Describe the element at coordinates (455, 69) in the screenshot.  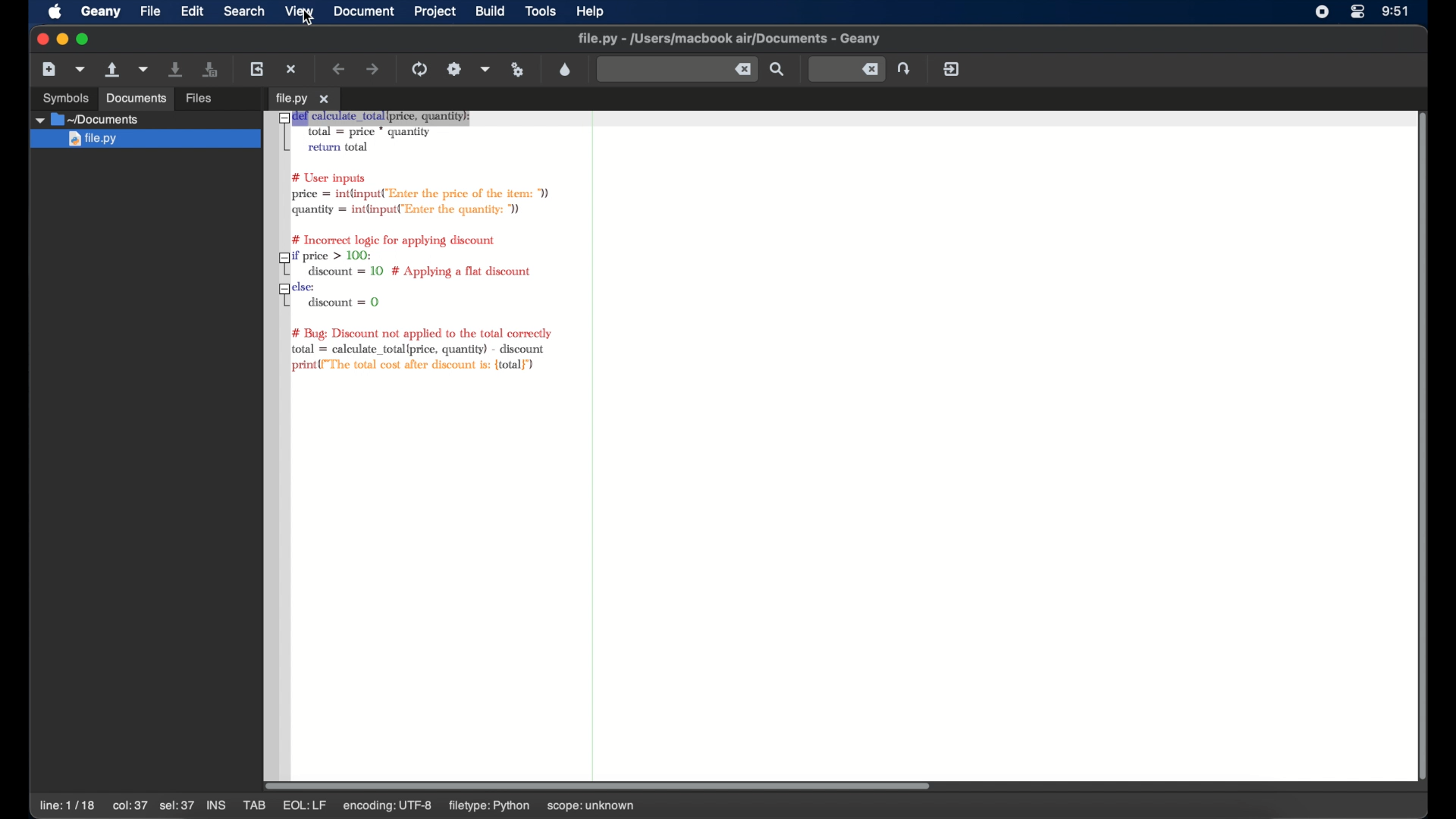
I see `build the current file` at that location.